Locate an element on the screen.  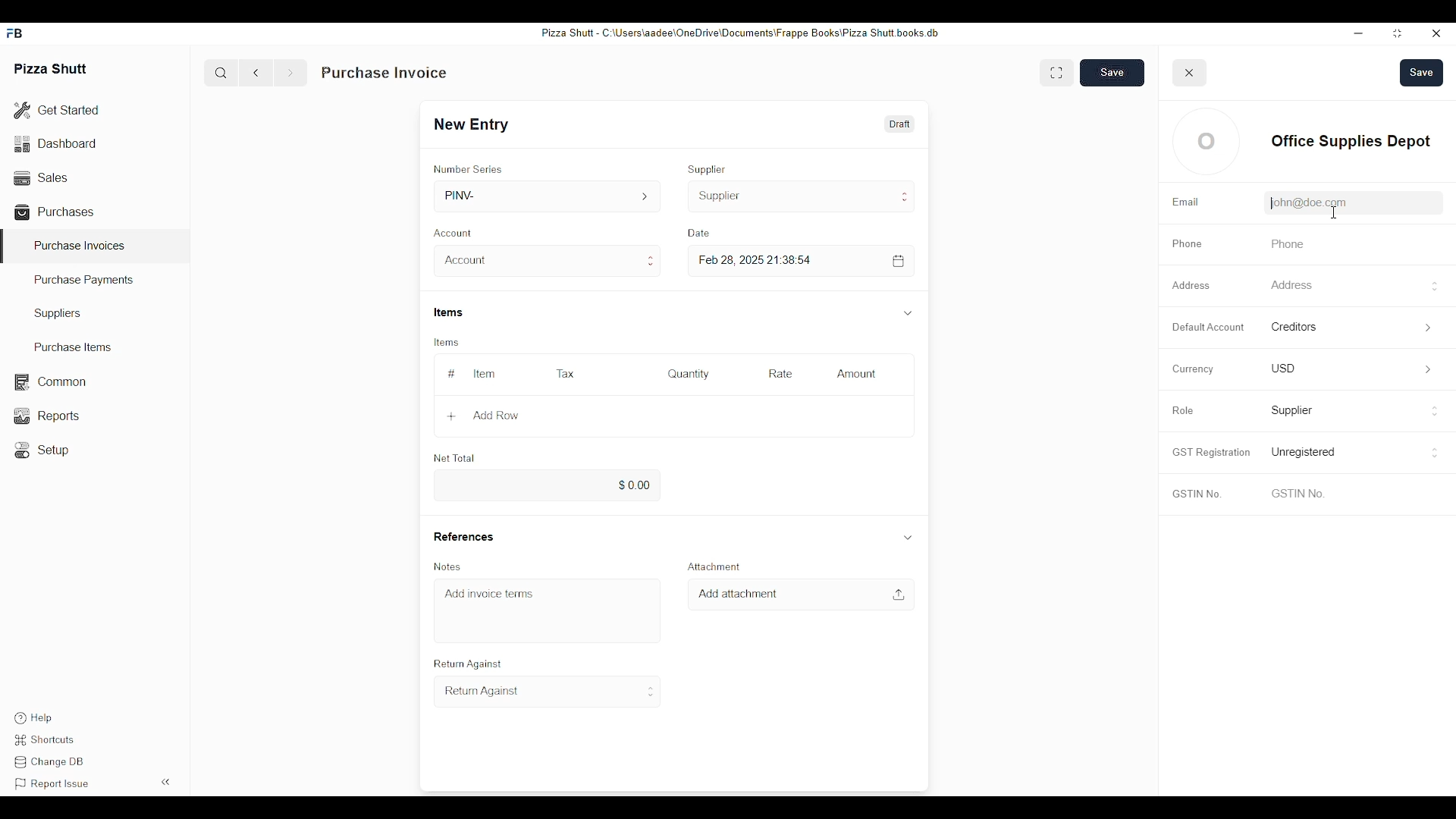
Shortcuts is located at coordinates (48, 740).